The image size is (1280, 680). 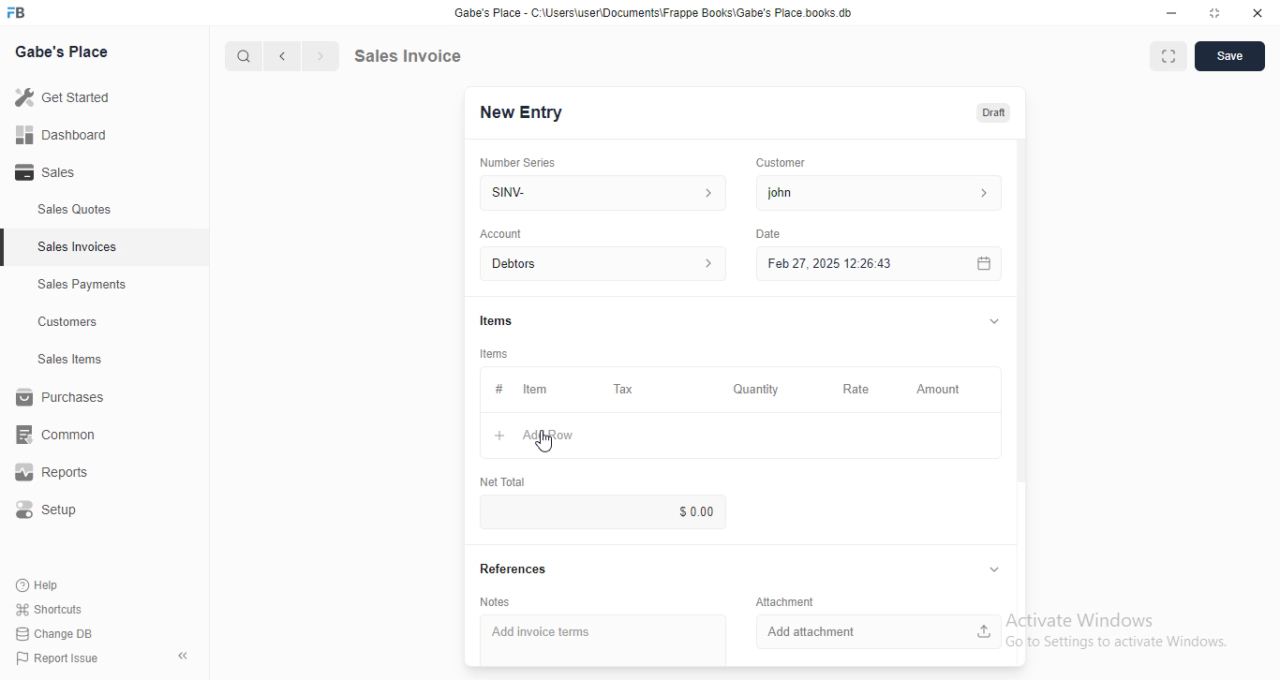 I want to click on Items, so click(x=495, y=317).